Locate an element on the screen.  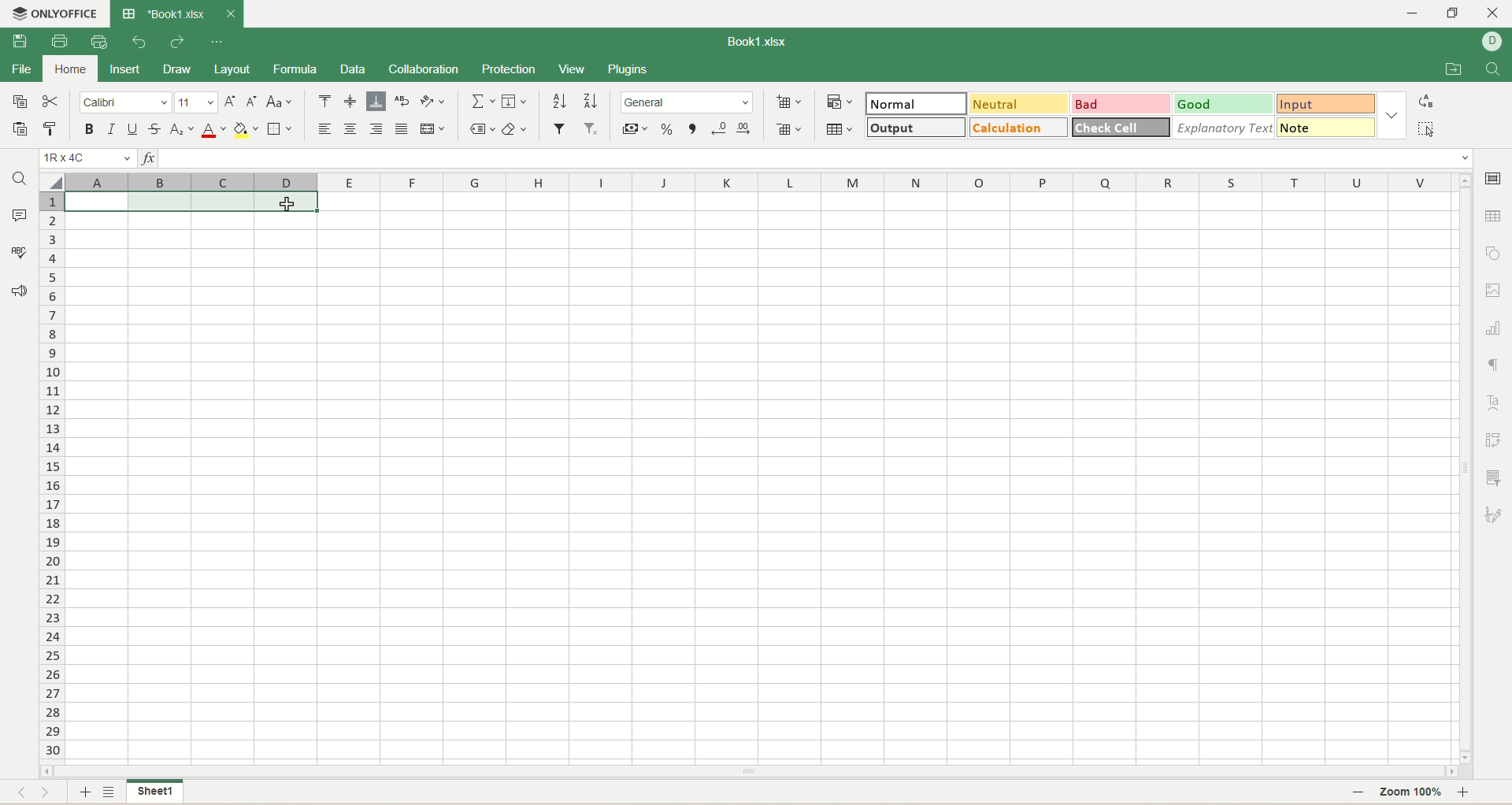
output is located at coordinates (916, 127).